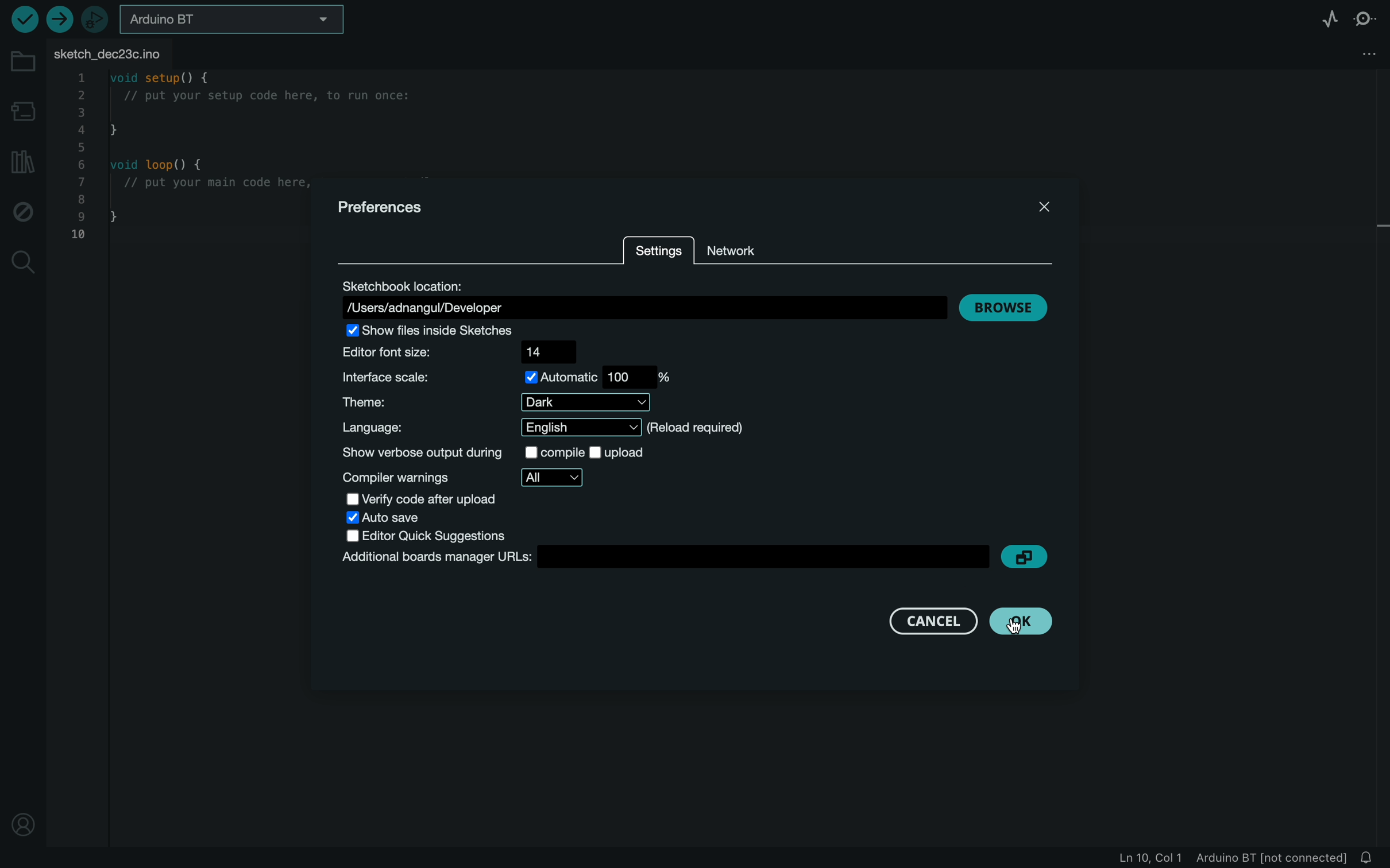 The width and height of the screenshot is (1390, 868). Describe the element at coordinates (235, 17) in the screenshot. I see `board selecter` at that location.